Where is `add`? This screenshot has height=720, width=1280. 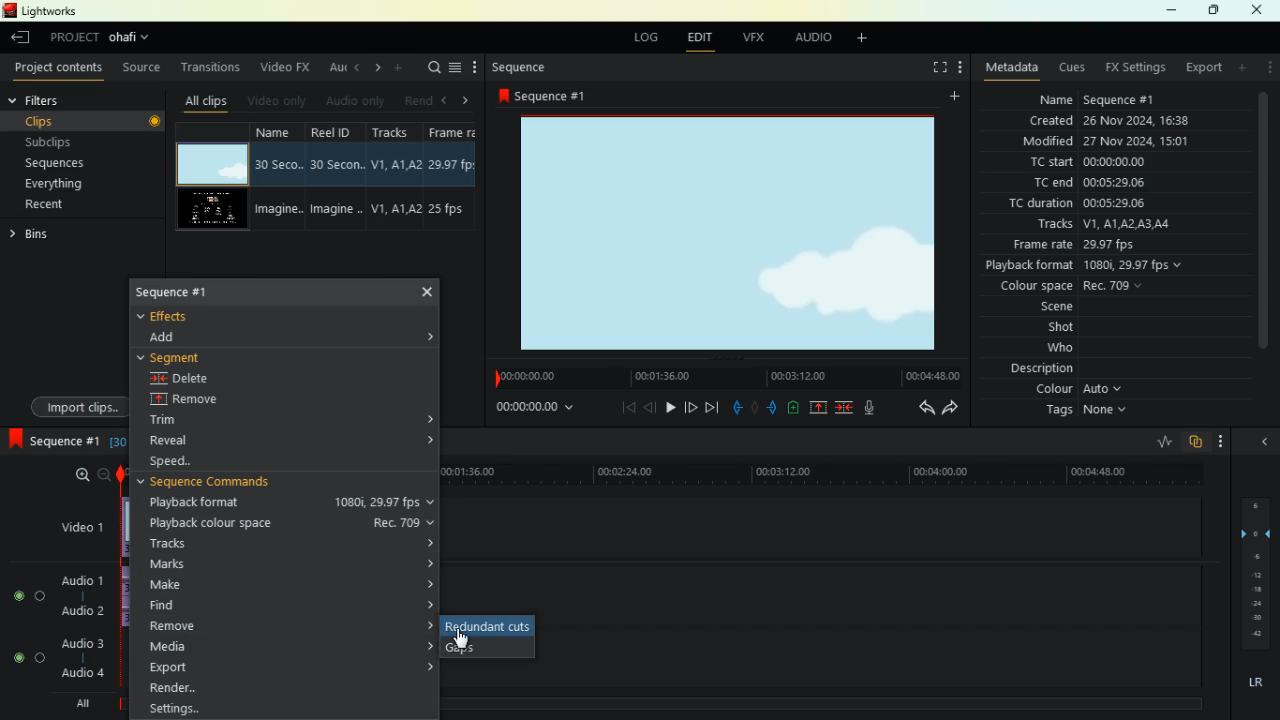 add is located at coordinates (1241, 71).